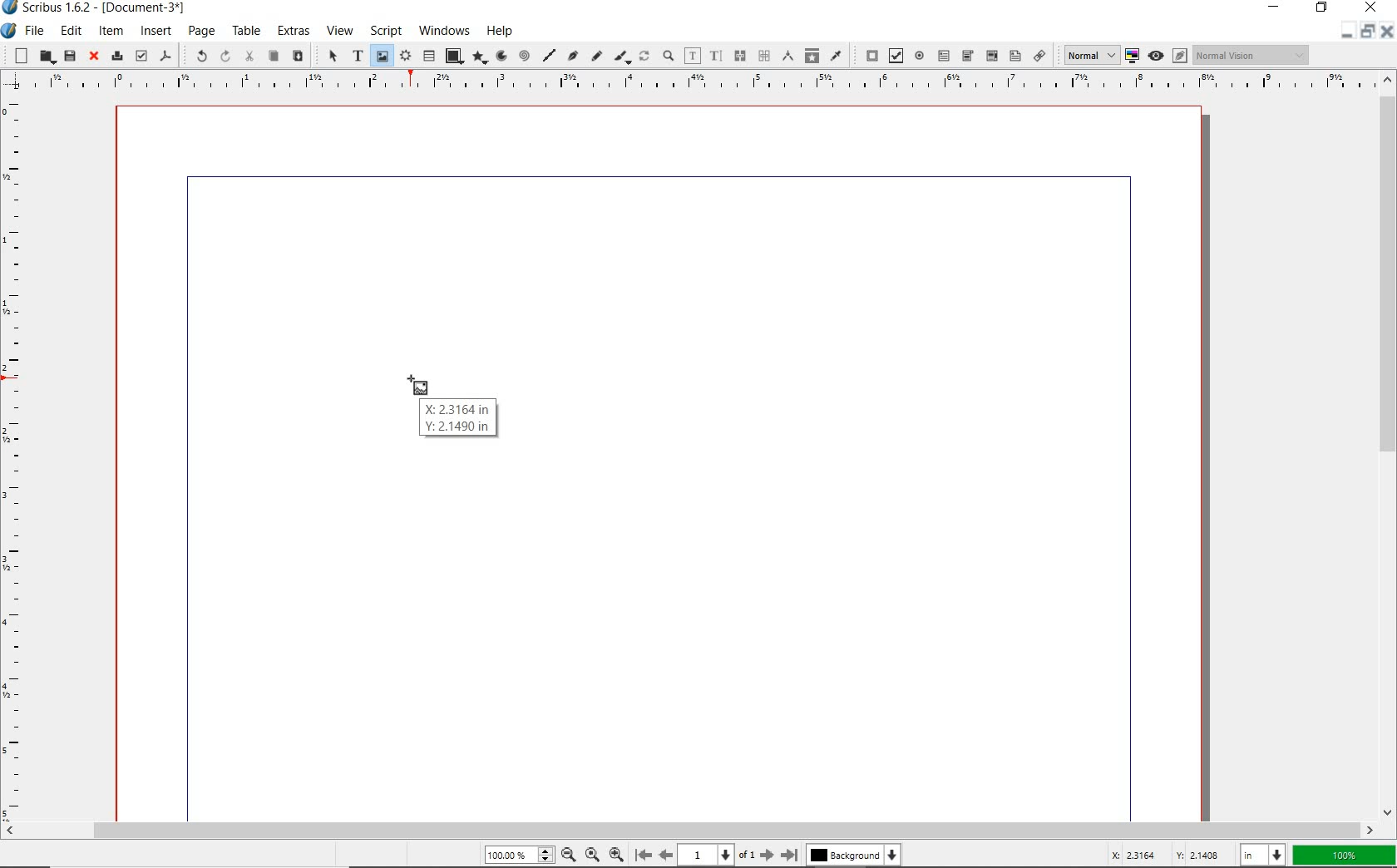  Describe the element at coordinates (249, 57) in the screenshot. I see `cut` at that location.